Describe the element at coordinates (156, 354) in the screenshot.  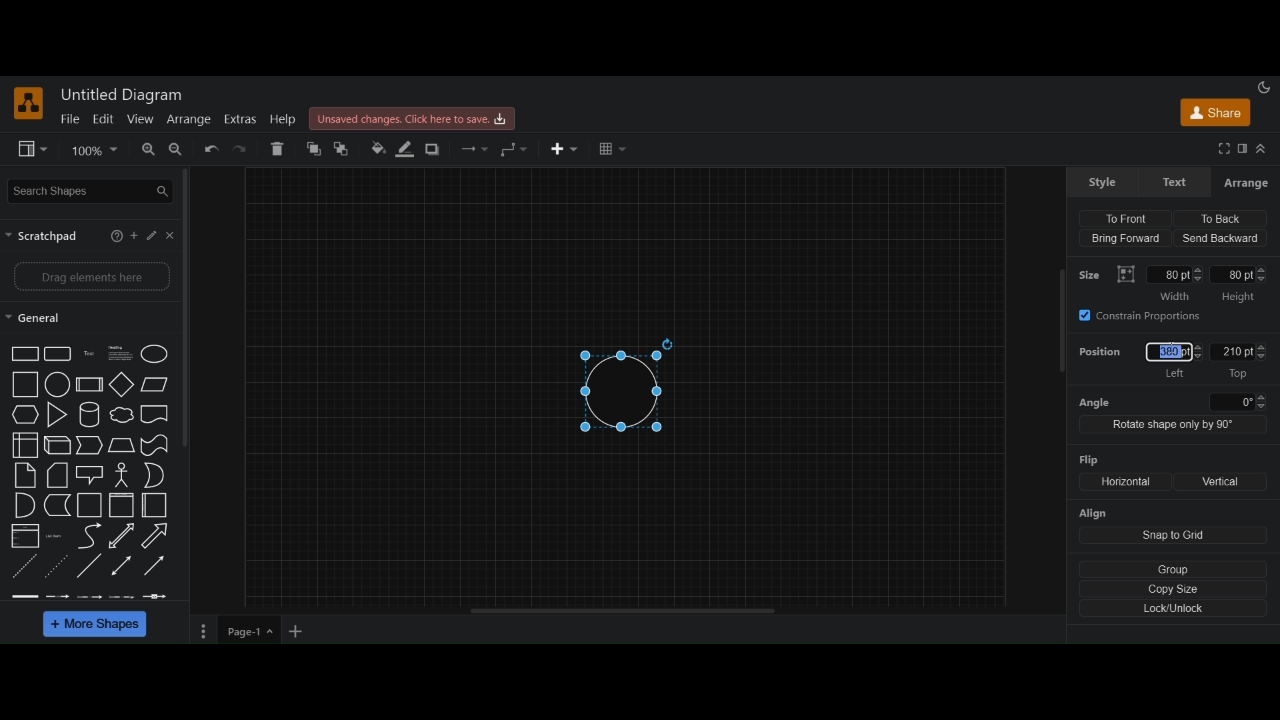
I see `Circle` at that location.